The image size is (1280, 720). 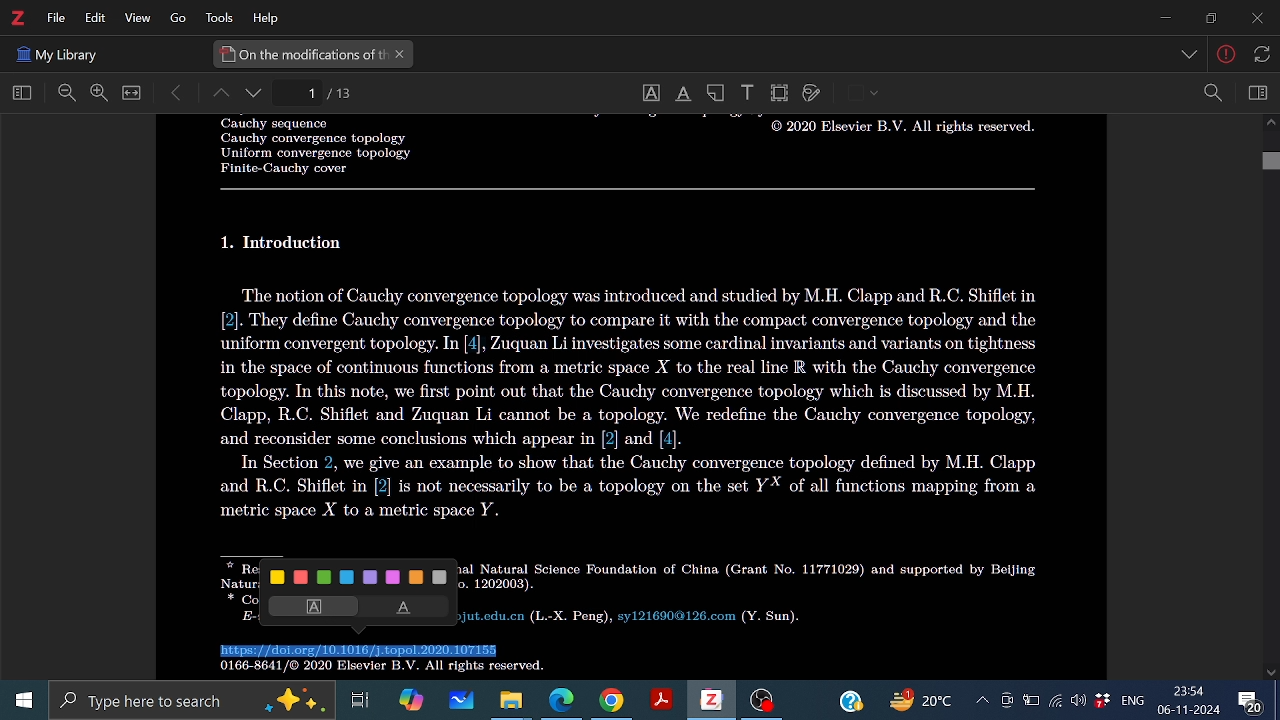 What do you see at coordinates (1190, 701) in the screenshot?
I see `Time and date` at bounding box center [1190, 701].